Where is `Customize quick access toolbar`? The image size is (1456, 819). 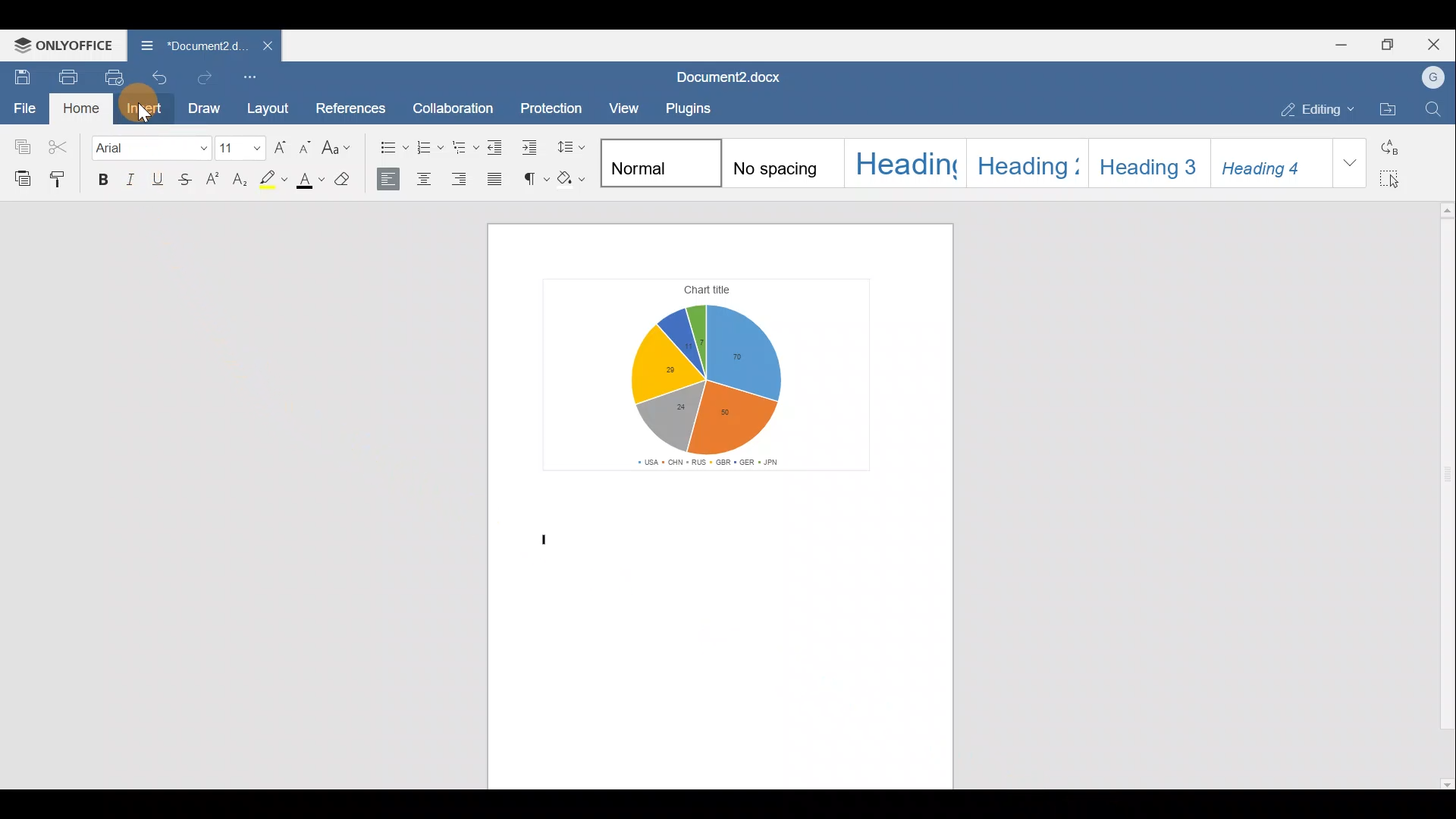 Customize quick access toolbar is located at coordinates (251, 76).